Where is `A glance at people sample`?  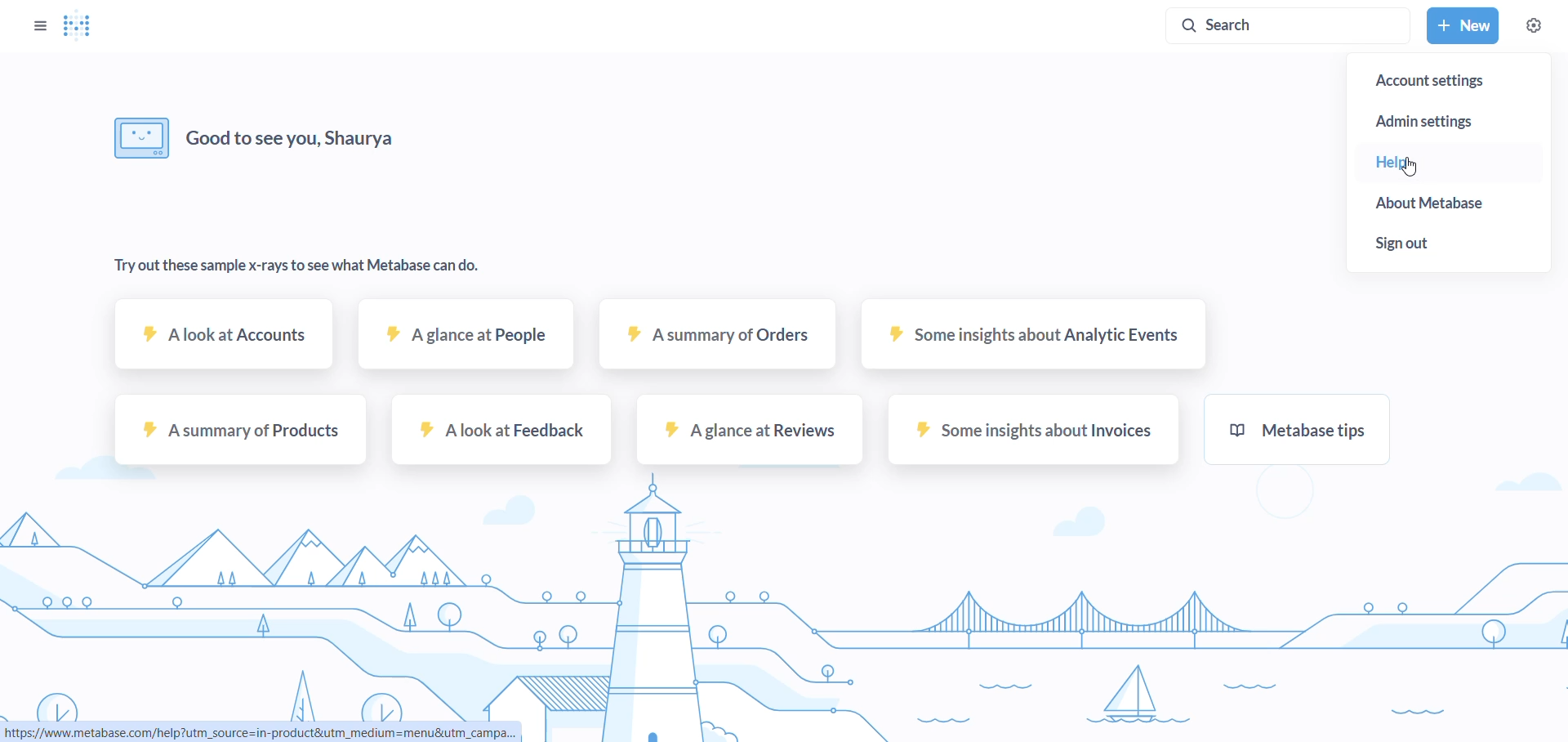
A glance at people sample is located at coordinates (467, 342).